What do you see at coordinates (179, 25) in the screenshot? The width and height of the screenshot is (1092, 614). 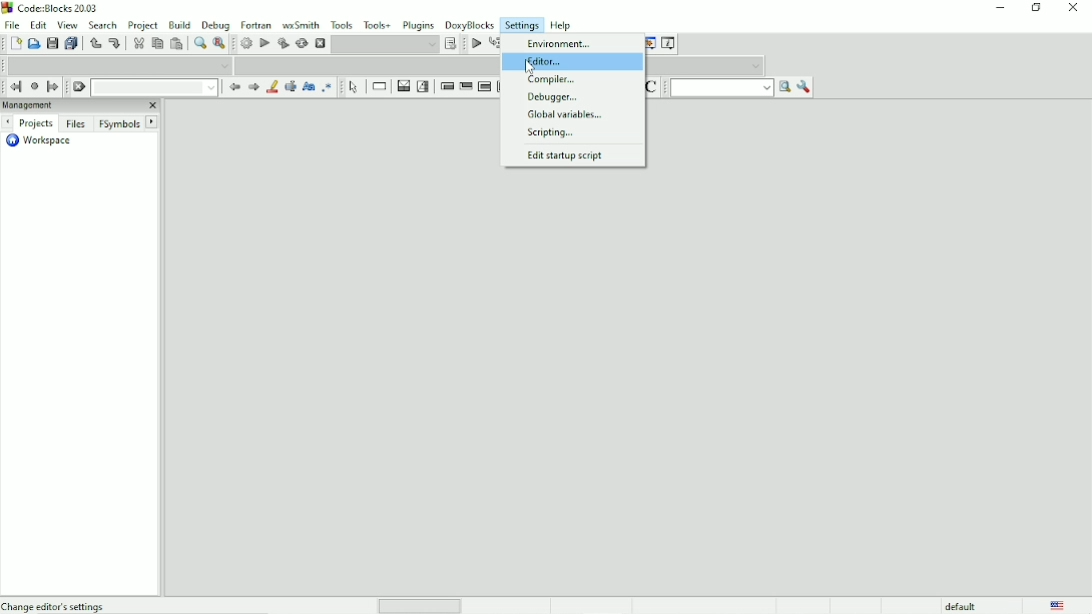 I see `Build` at bounding box center [179, 25].